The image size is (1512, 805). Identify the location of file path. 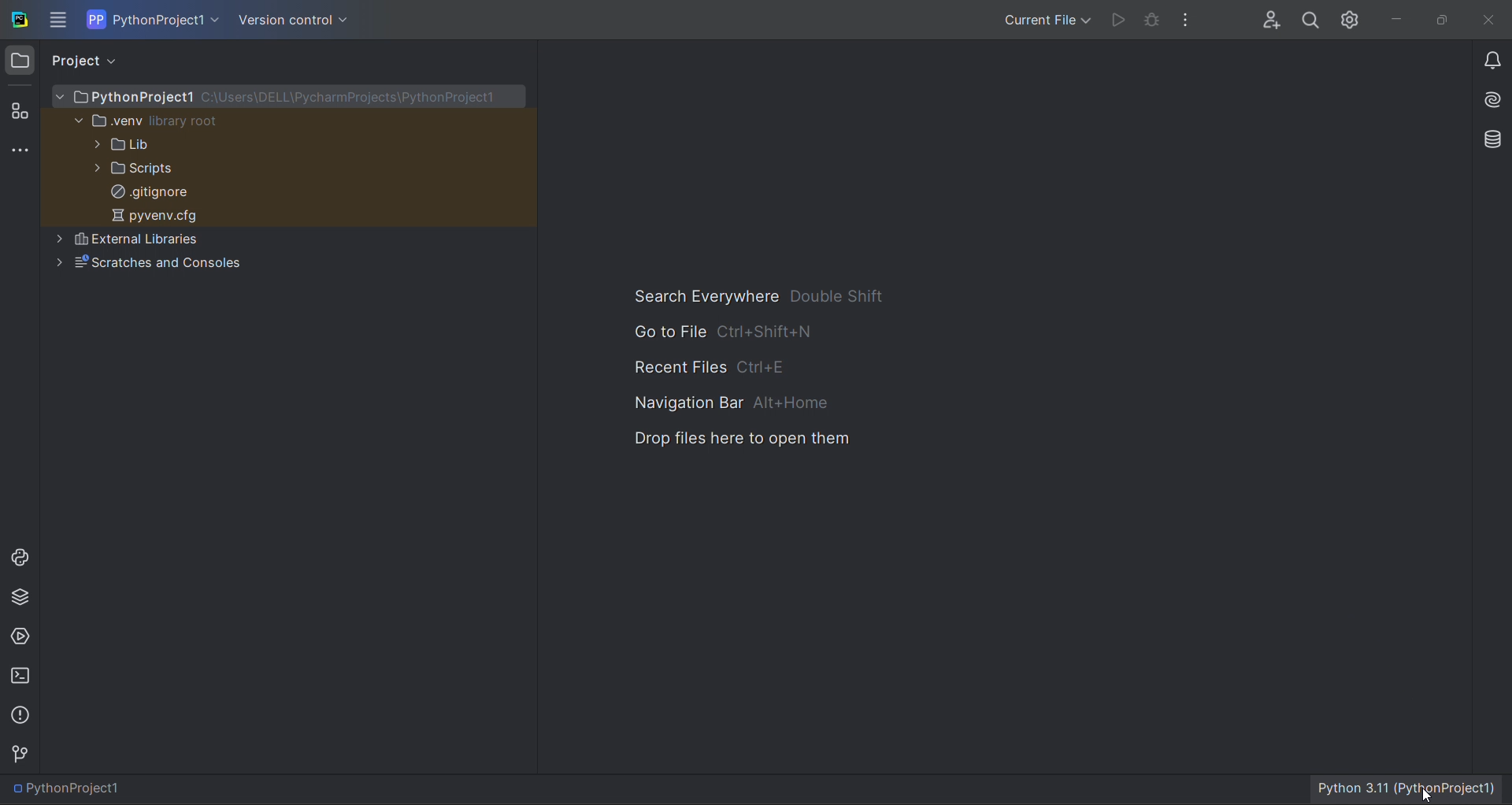
(72, 789).